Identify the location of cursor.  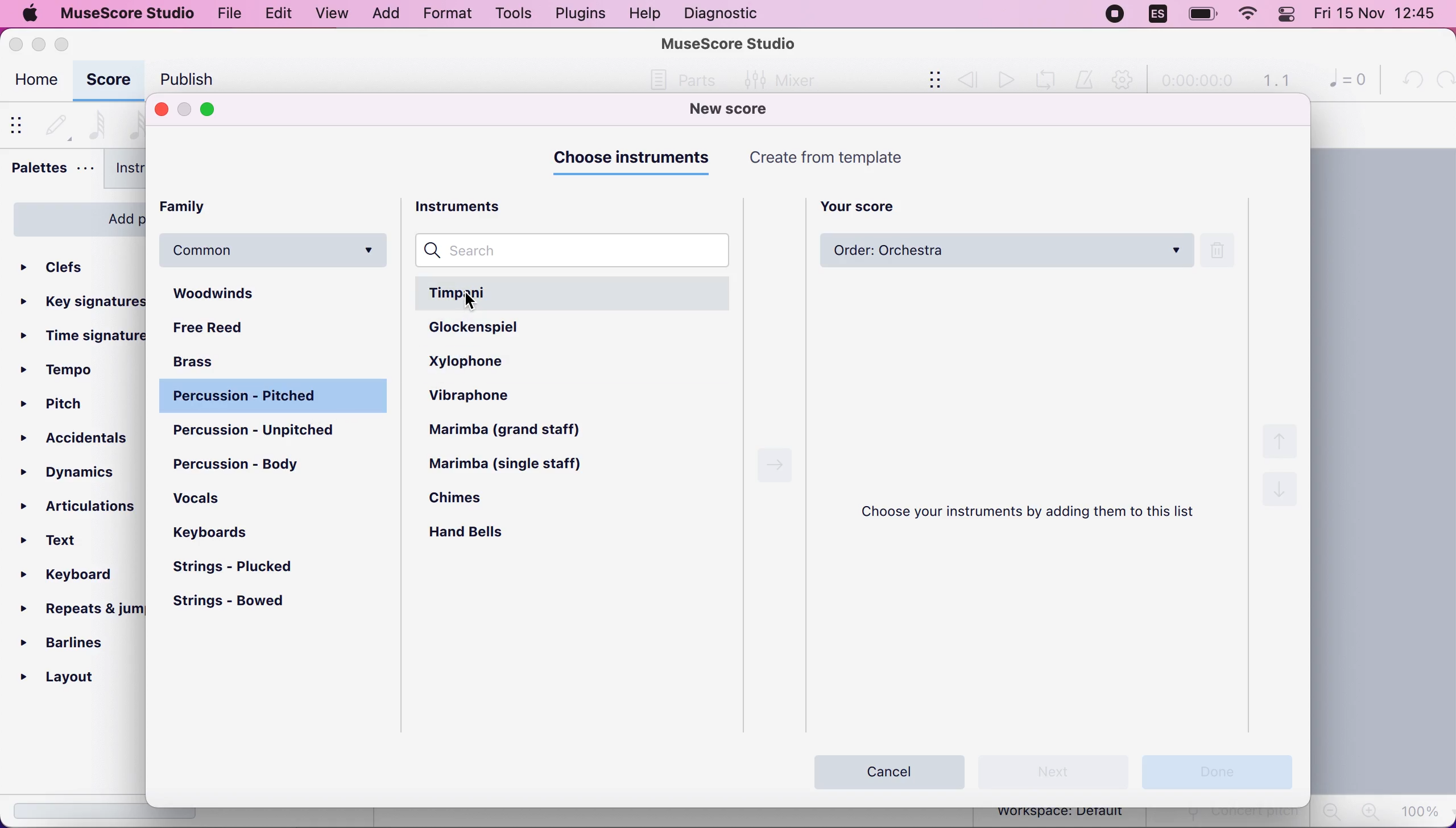
(469, 301).